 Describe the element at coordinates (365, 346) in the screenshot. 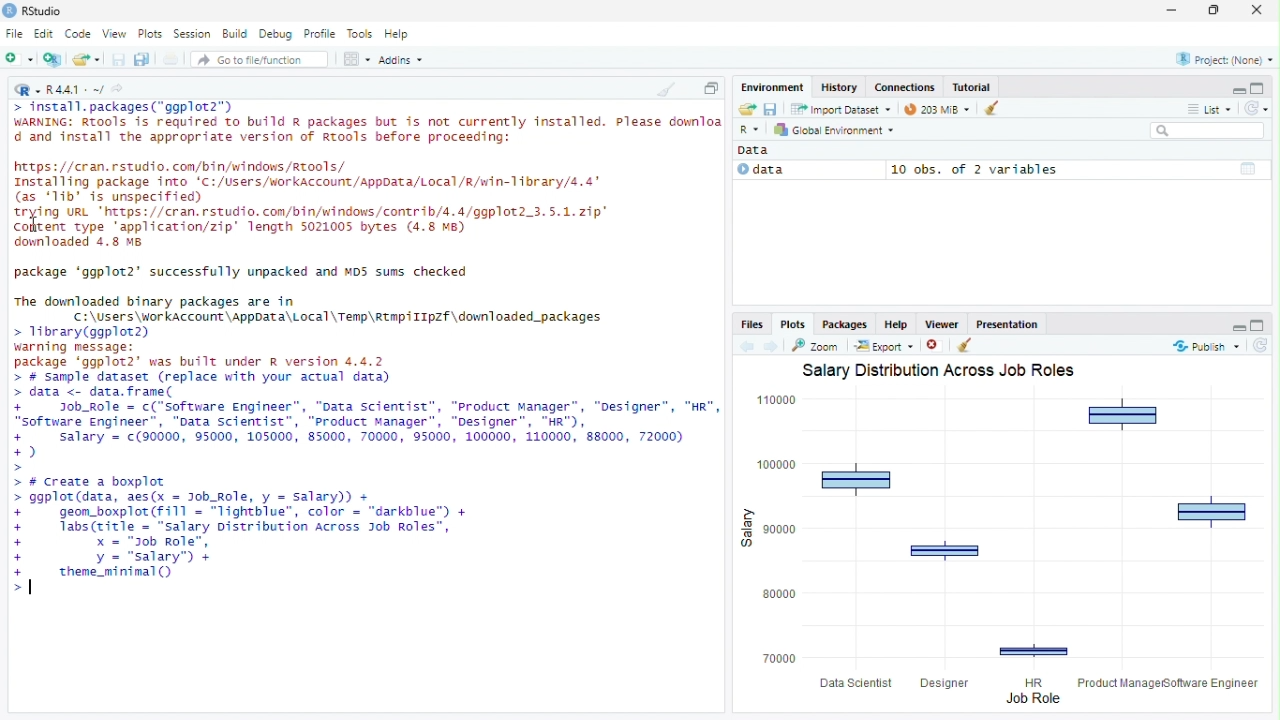

I see `Code - install, packages("ggplot2") WARNING: Rtools is required to build a packages but is not currently installed. Please dounlo d and install the appropriate version of Rtools before proceeding: https://cran.rstudio.com/bin/windows/tools/Installing package into 'C:/Users/workAccount/AppData/Local/R/win-11brary/4,4 (as 'Tib' is unspecified) trying URL "https://cran.rstudio.com/bin/windows/contrib/4.4/ggplot2.3.5.1.21p Content type application/zip" length 5021005 bytes (4.8 MB) dounloaded 4.8 8 package 'ggplot2' successfully unpacked and NOS sums checked. The downloaded binary packages are in 기 C:\Users\workAccount\AppData\Local\Temp\Rtap/1IpZf\downloaded packages Sample dataset (replace with your actual data) data data frane( Job Anlec("Software Engineer", "Data Scientist", "Product Manager", "Designer"," "Software Engineer", "Data scientist", "Product manager", "Designer", ""), salary (90000, 95000, 105000, 85000, 10000, 95000, 100000, 110000, 18000, 72000) create a boxplot ggplotlidata, ses (Job Role, y salary)). geon boxplot (f111color) labs(title "Salary Distribution across 700 Roles", 300 ` at that location.